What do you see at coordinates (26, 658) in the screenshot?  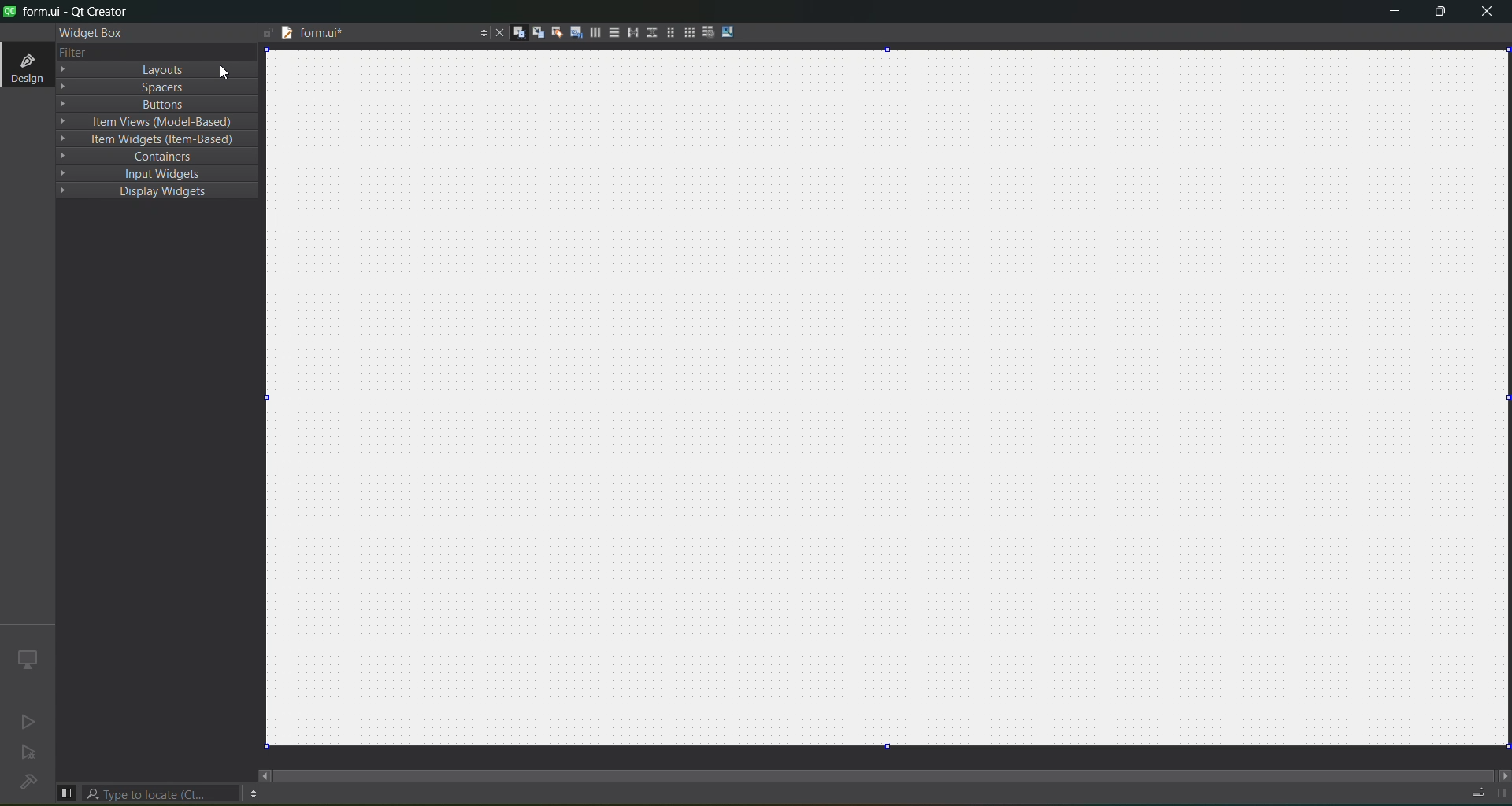 I see `icon` at bounding box center [26, 658].